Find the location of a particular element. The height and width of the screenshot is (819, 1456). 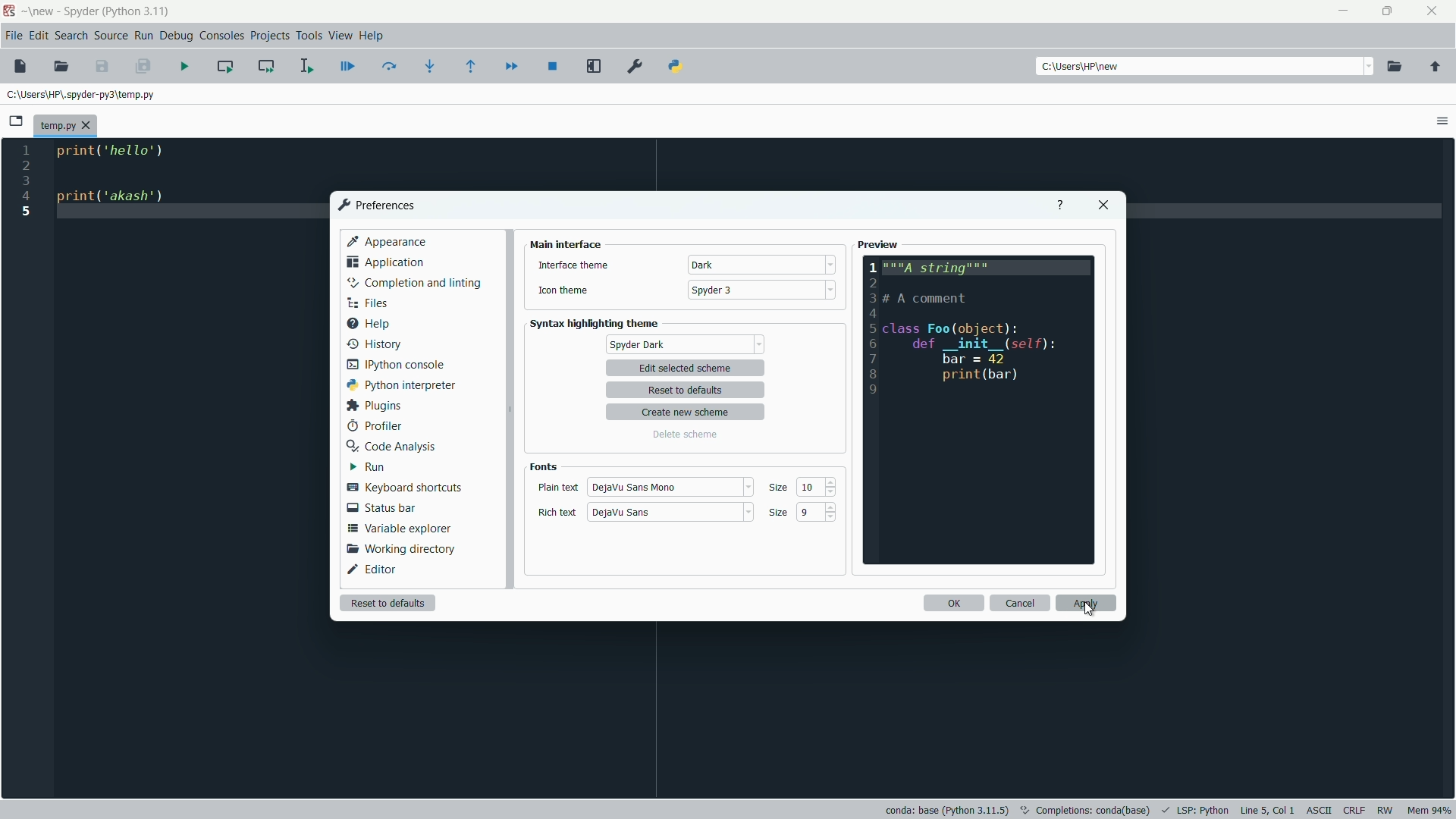

save all files is located at coordinates (143, 67).